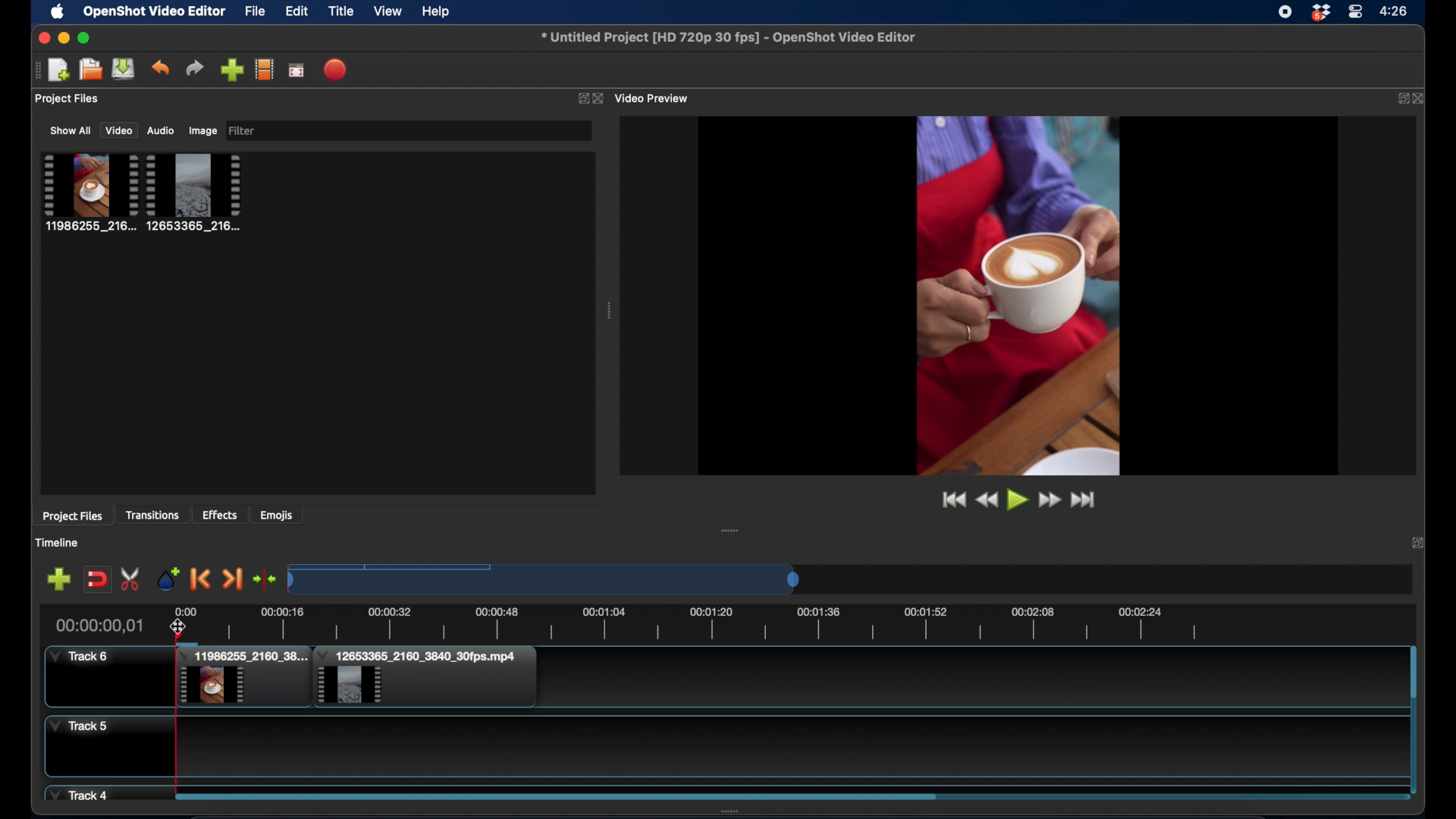 This screenshot has width=1456, height=819. I want to click on timeline, so click(689, 622).